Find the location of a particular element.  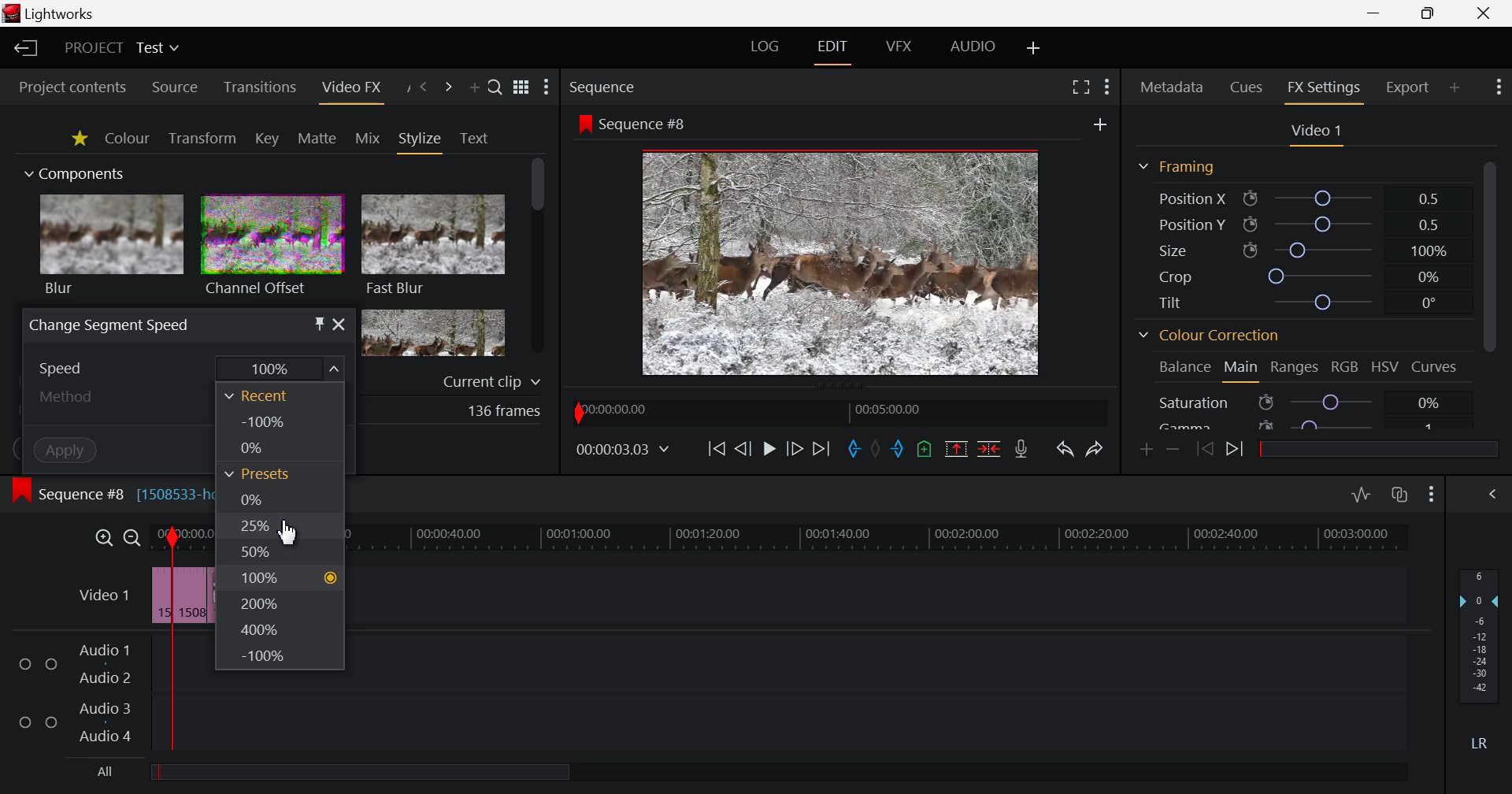

To End is located at coordinates (821, 450).